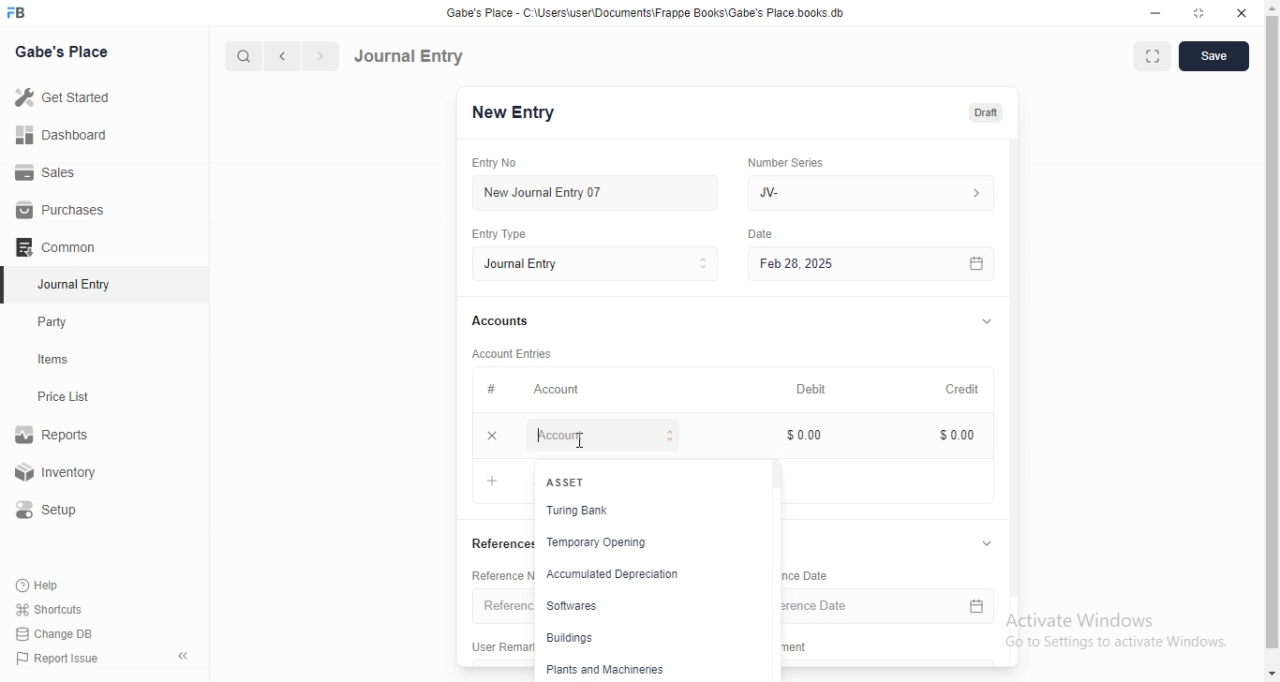 The width and height of the screenshot is (1280, 682). What do you see at coordinates (792, 162) in the screenshot?
I see `‘Number Series` at bounding box center [792, 162].